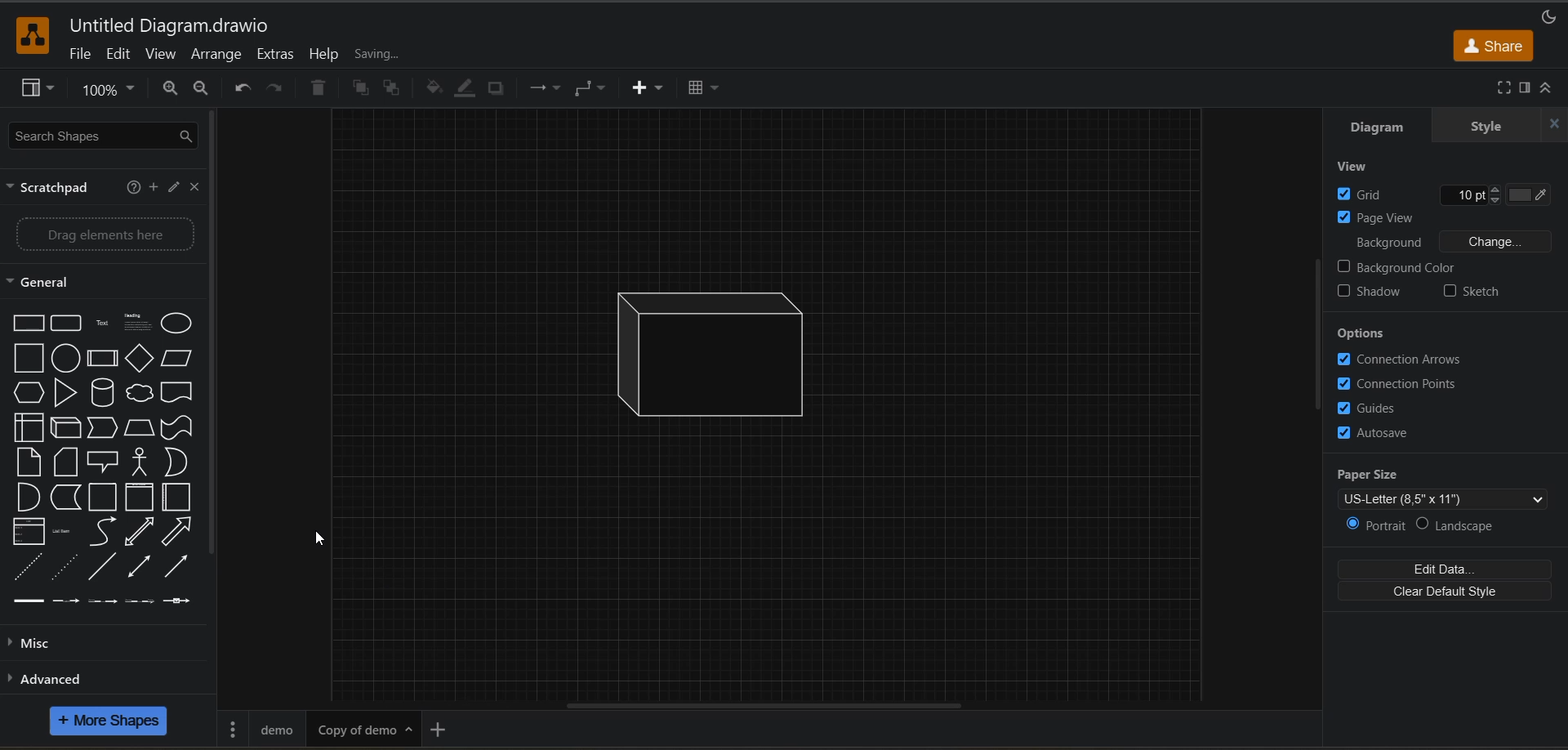 The image size is (1568, 750). What do you see at coordinates (1445, 570) in the screenshot?
I see `edit data` at bounding box center [1445, 570].